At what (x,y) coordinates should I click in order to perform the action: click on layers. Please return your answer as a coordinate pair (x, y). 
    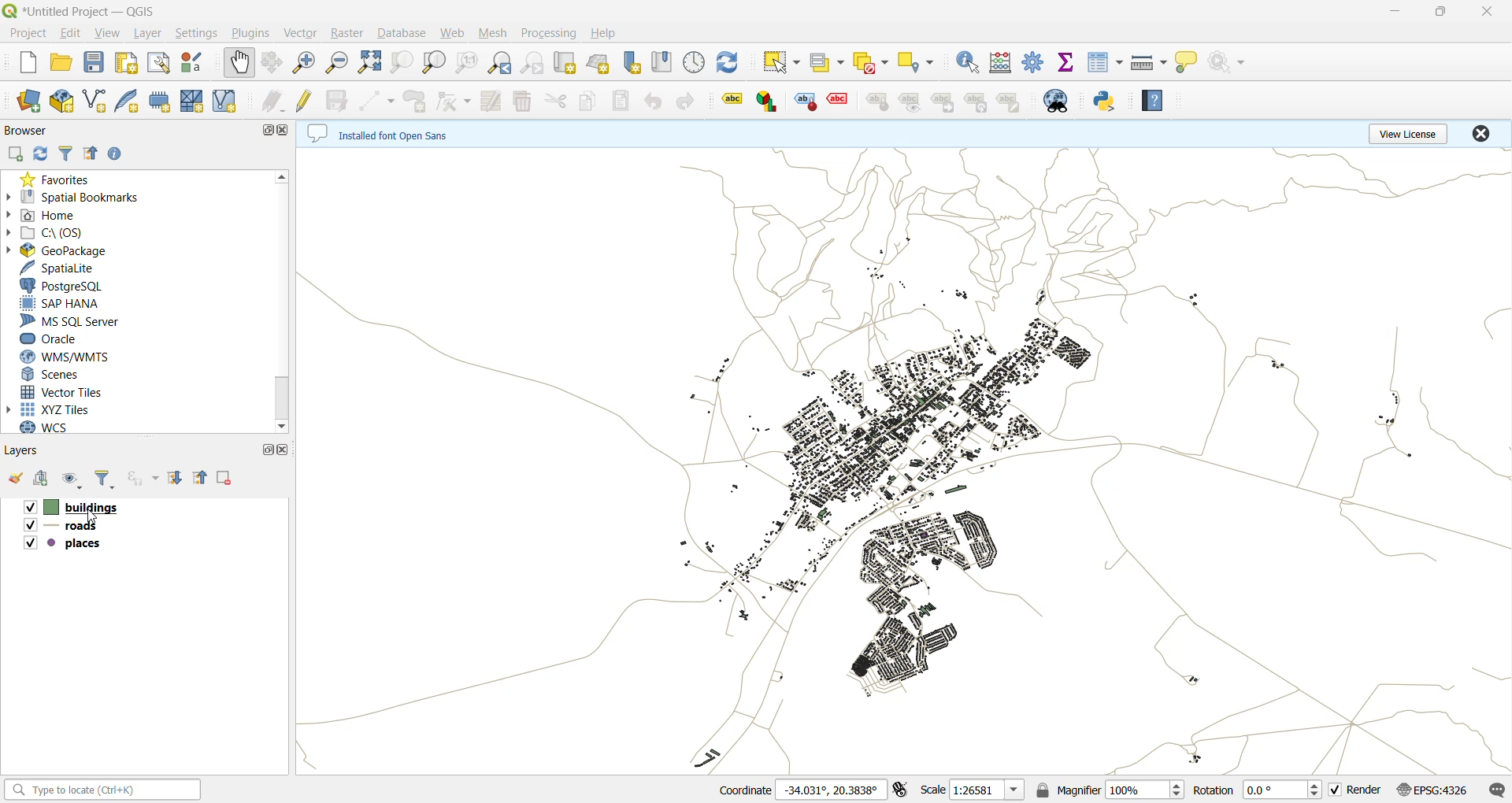
    Looking at the image, I should click on (28, 450).